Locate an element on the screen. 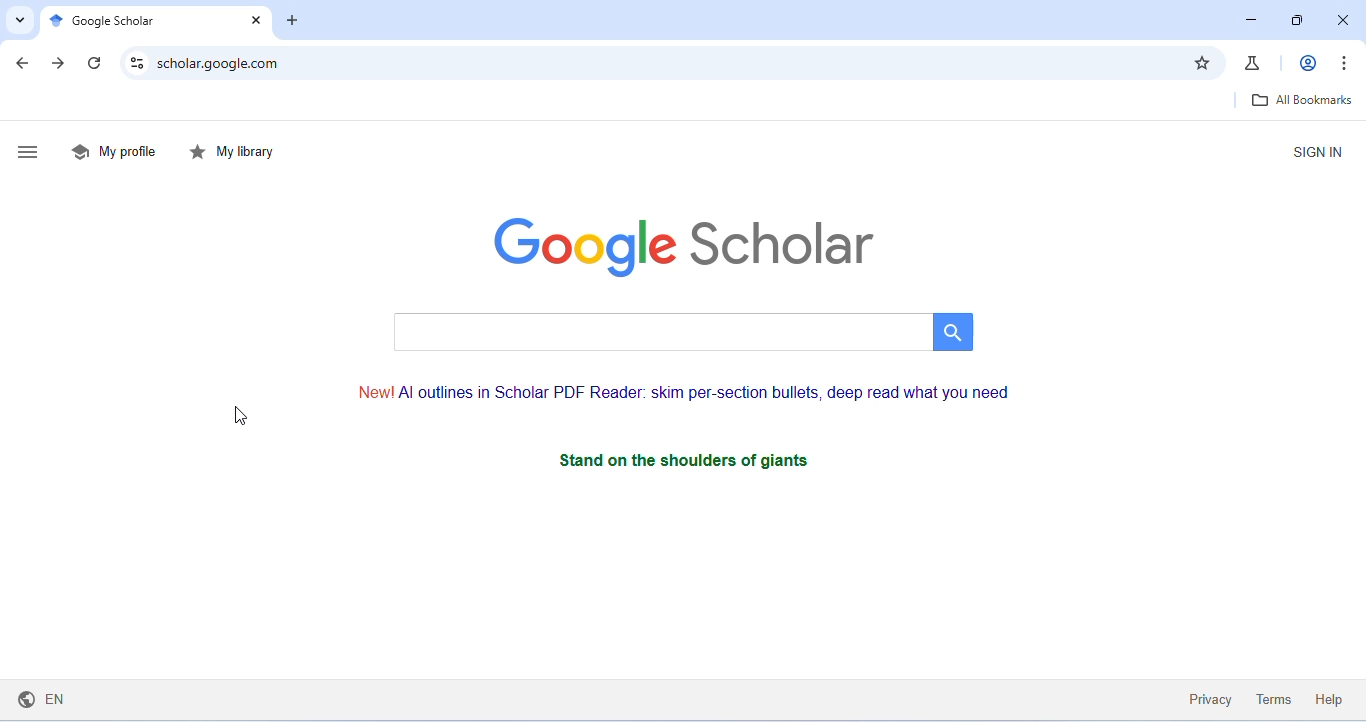 The image size is (1366, 722). all bookmarks is located at coordinates (1300, 100).